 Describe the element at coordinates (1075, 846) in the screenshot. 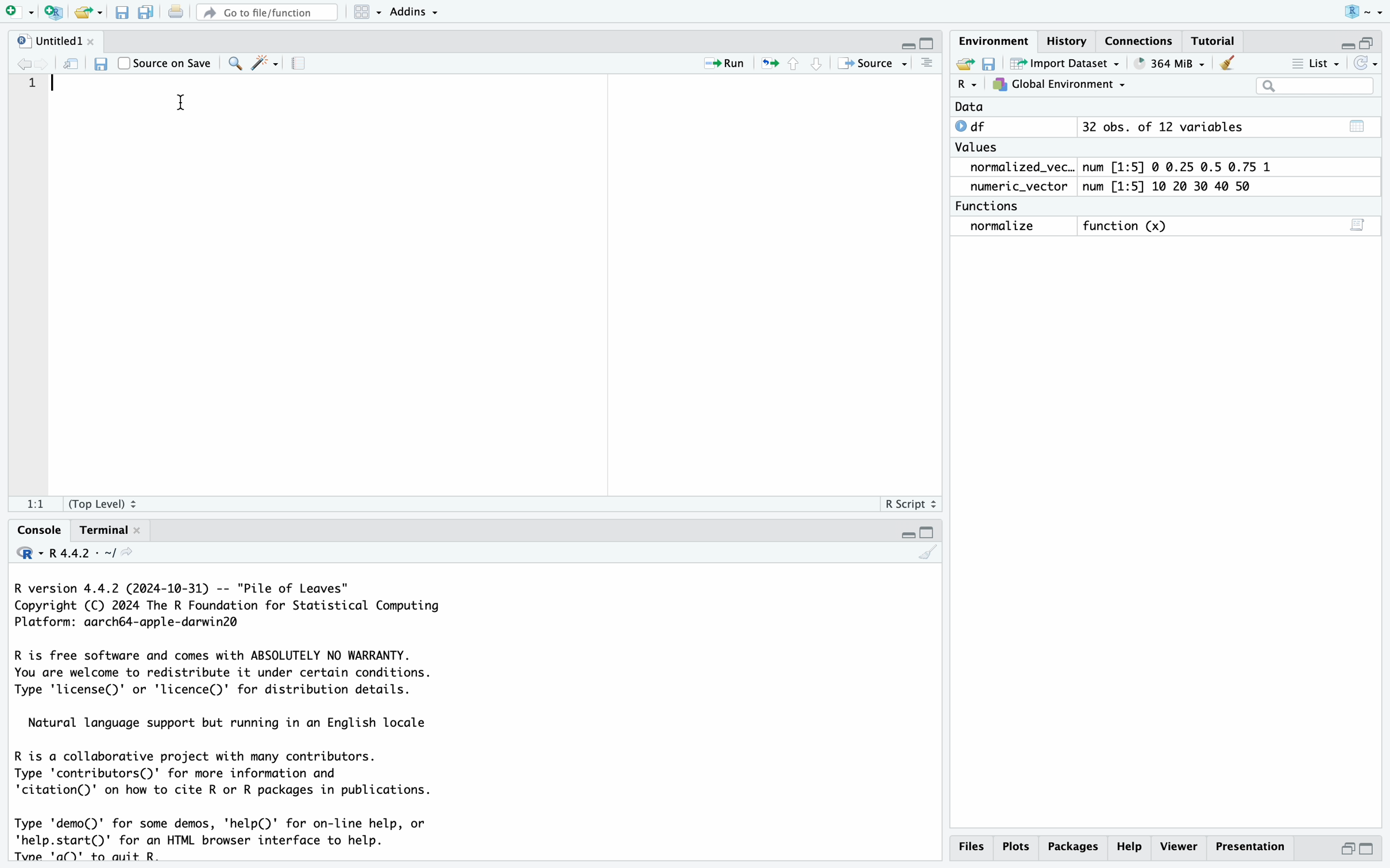

I see `Packages` at that location.